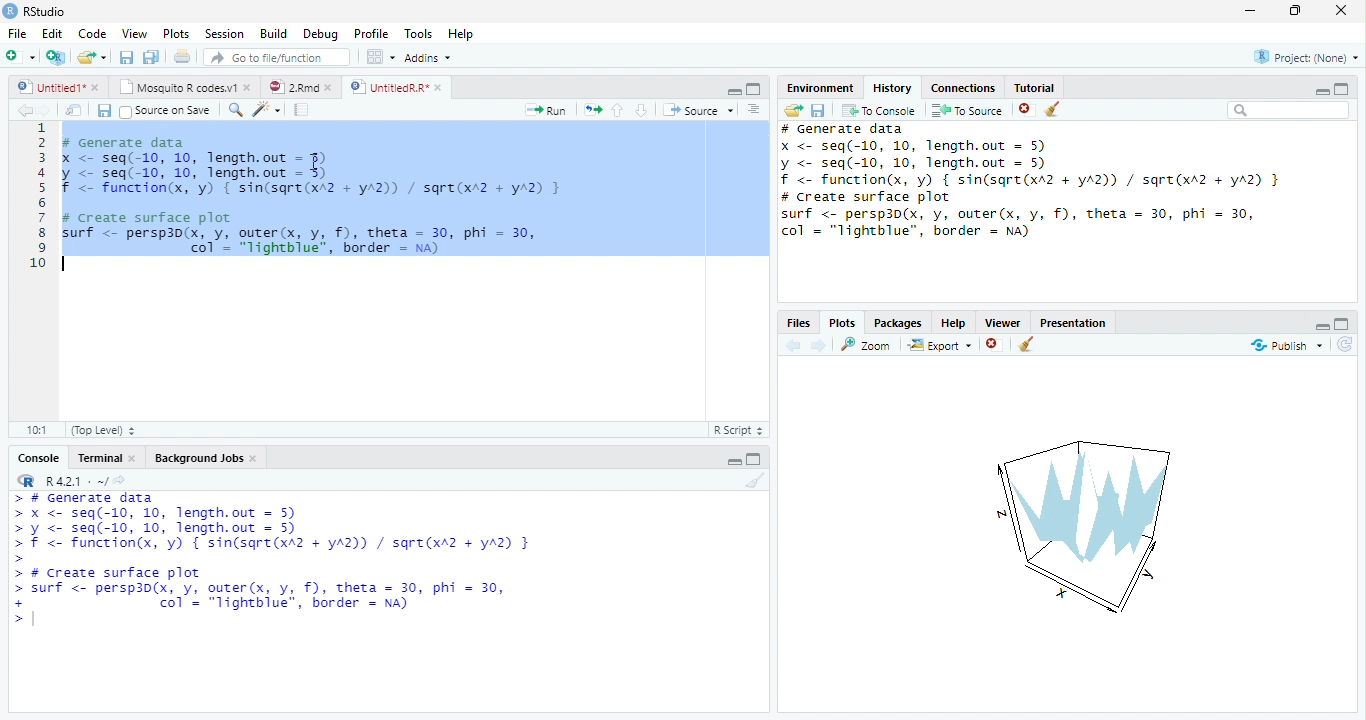 The image size is (1366, 720). What do you see at coordinates (544, 110) in the screenshot?
I see `Run` at bounding box center [544, 110].